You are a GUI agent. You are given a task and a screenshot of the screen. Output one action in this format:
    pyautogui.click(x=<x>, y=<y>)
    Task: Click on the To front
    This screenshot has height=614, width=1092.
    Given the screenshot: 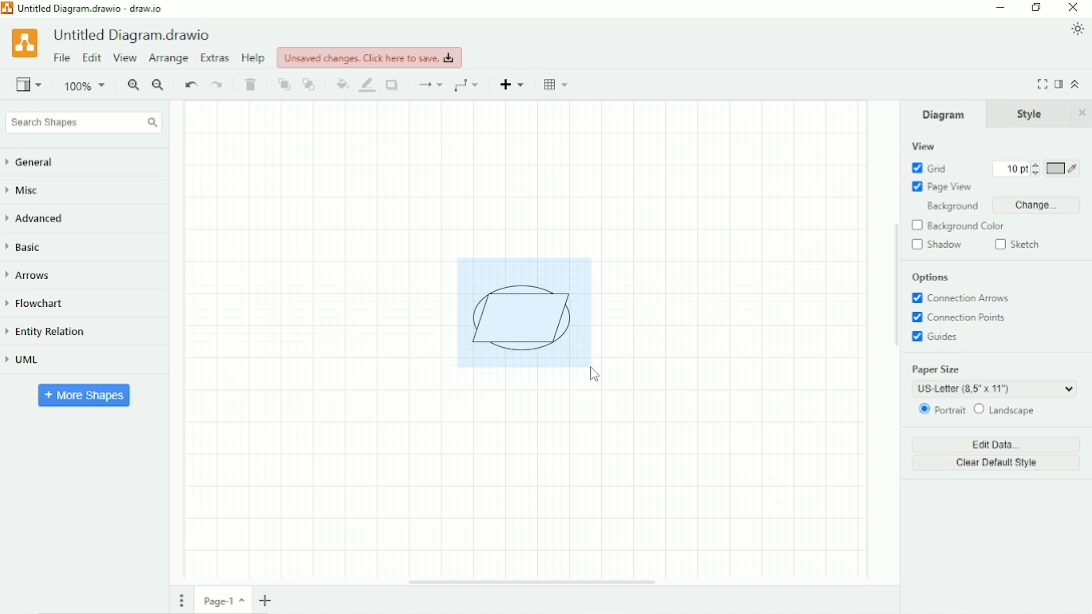 What is the action you would take?
    pyautogui.click(x=284, y=85)
    